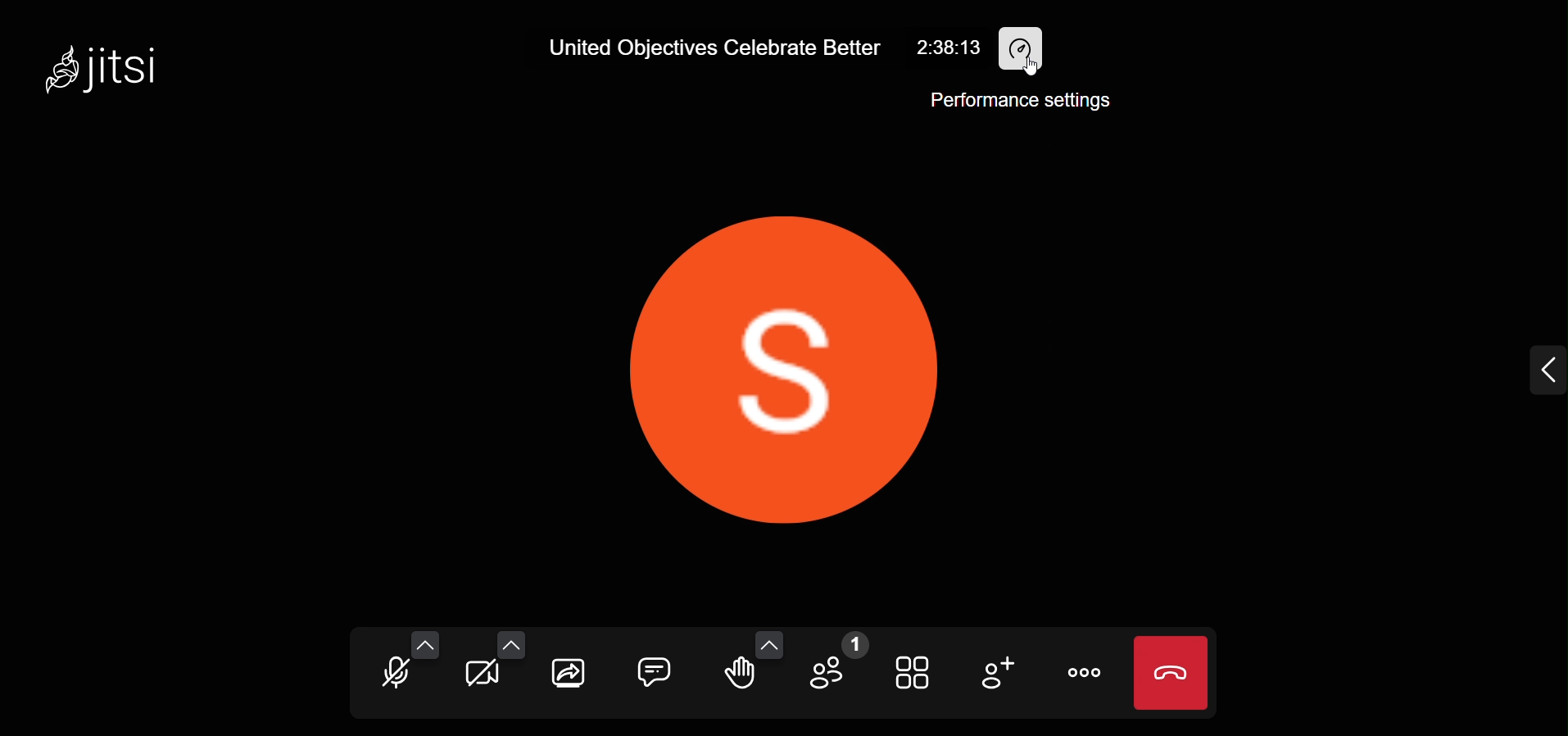 This screenshot has height=736, width=1568. Describe the element at coordinates (1021, 102) in the screenshot. I see `performance setting` at that location.